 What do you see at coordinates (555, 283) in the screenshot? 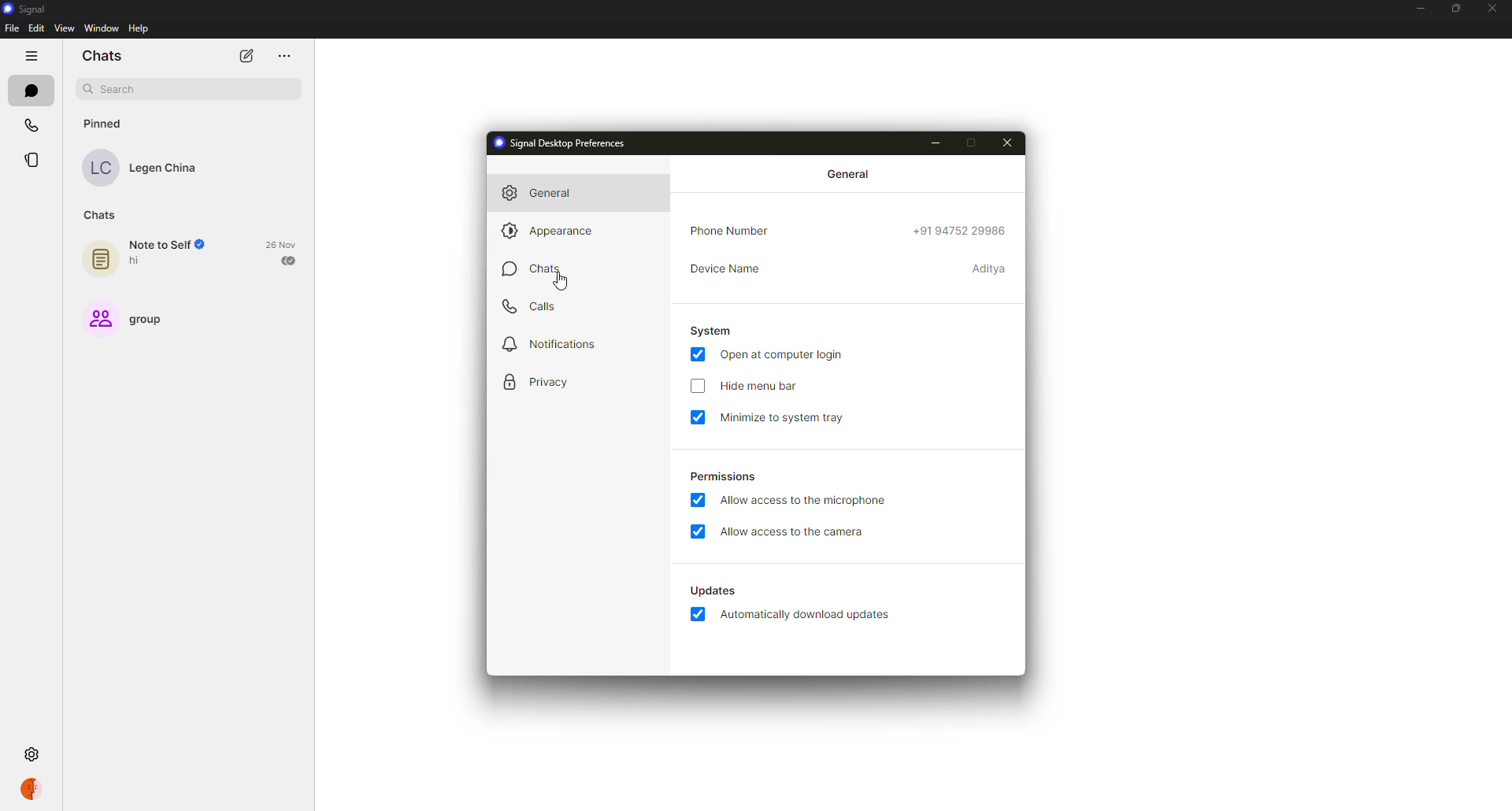
I see `cursor` at bounding box center [555, 283].